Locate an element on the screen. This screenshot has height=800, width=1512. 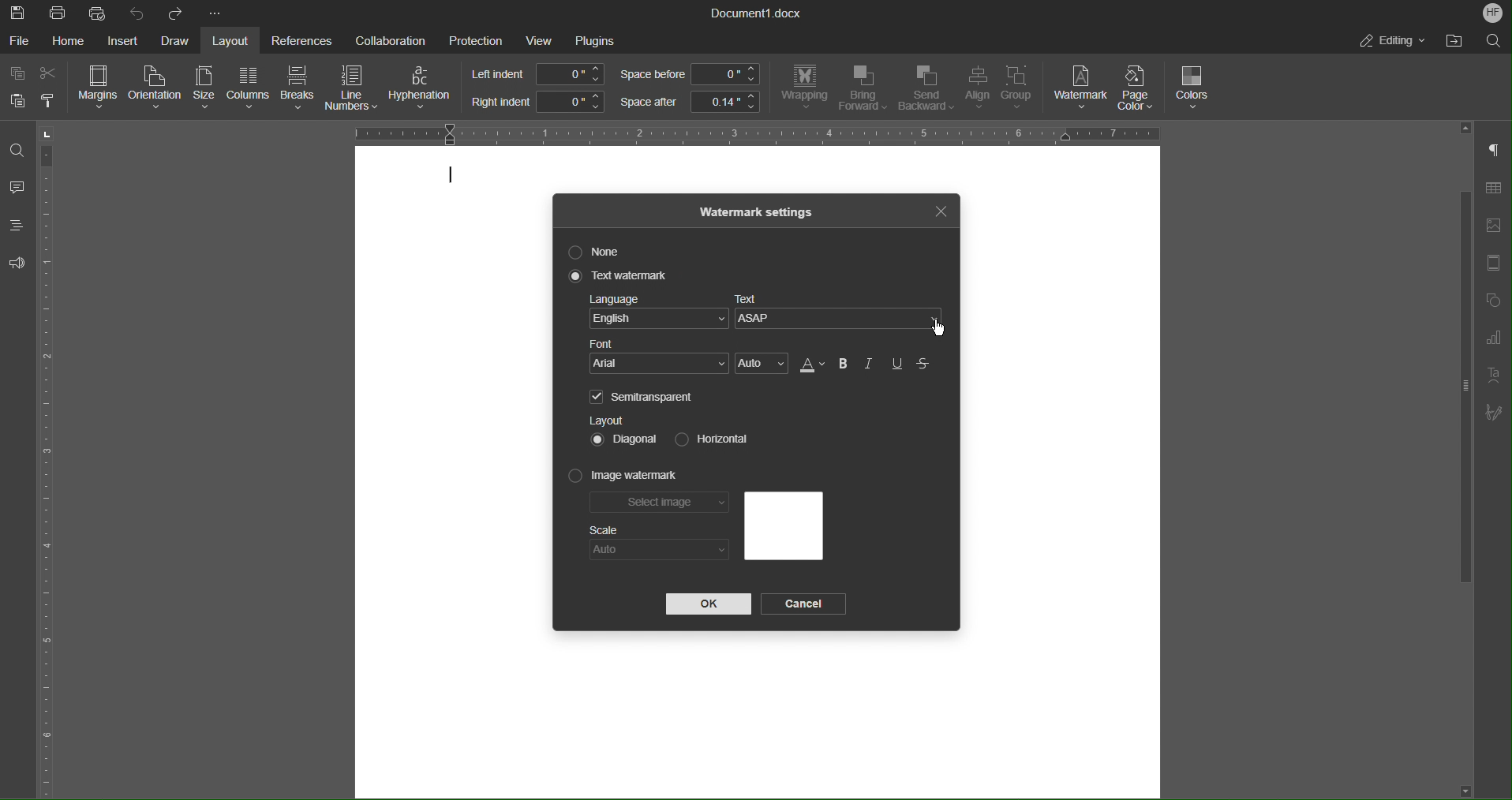
Find is located at coordinates (16, 150).